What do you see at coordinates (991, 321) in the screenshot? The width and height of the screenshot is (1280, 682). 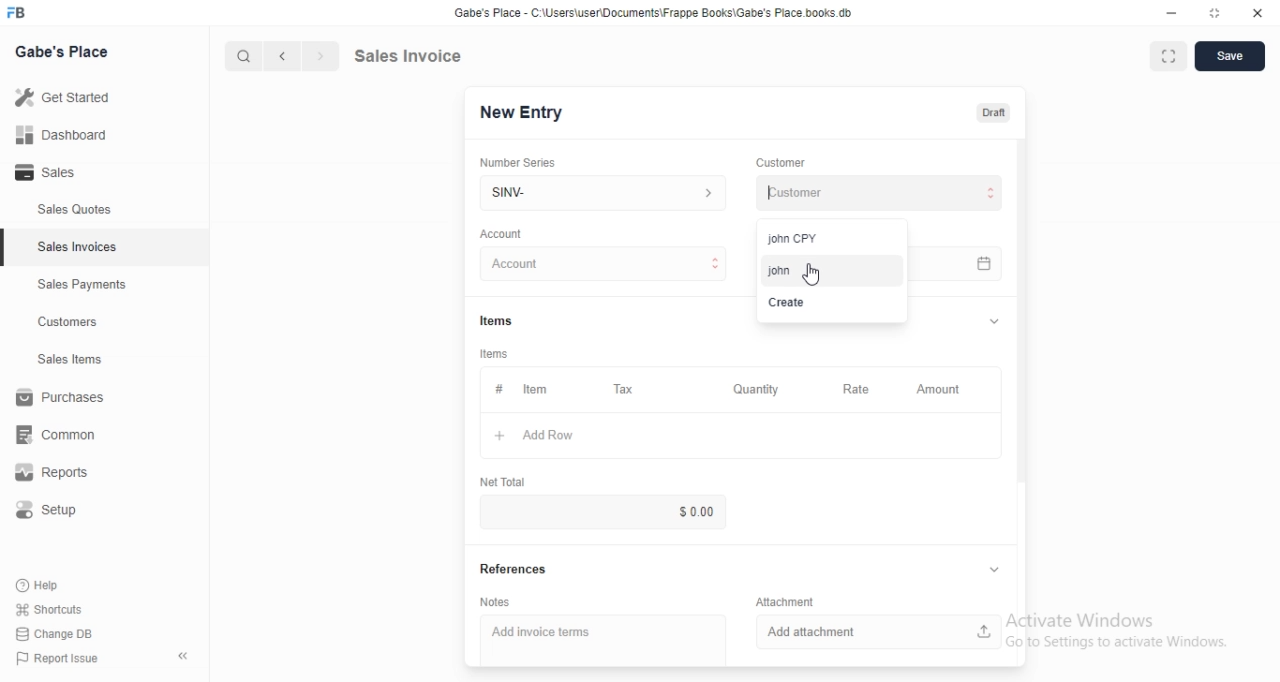 I see `collapse` at bounding box center [991, 321].